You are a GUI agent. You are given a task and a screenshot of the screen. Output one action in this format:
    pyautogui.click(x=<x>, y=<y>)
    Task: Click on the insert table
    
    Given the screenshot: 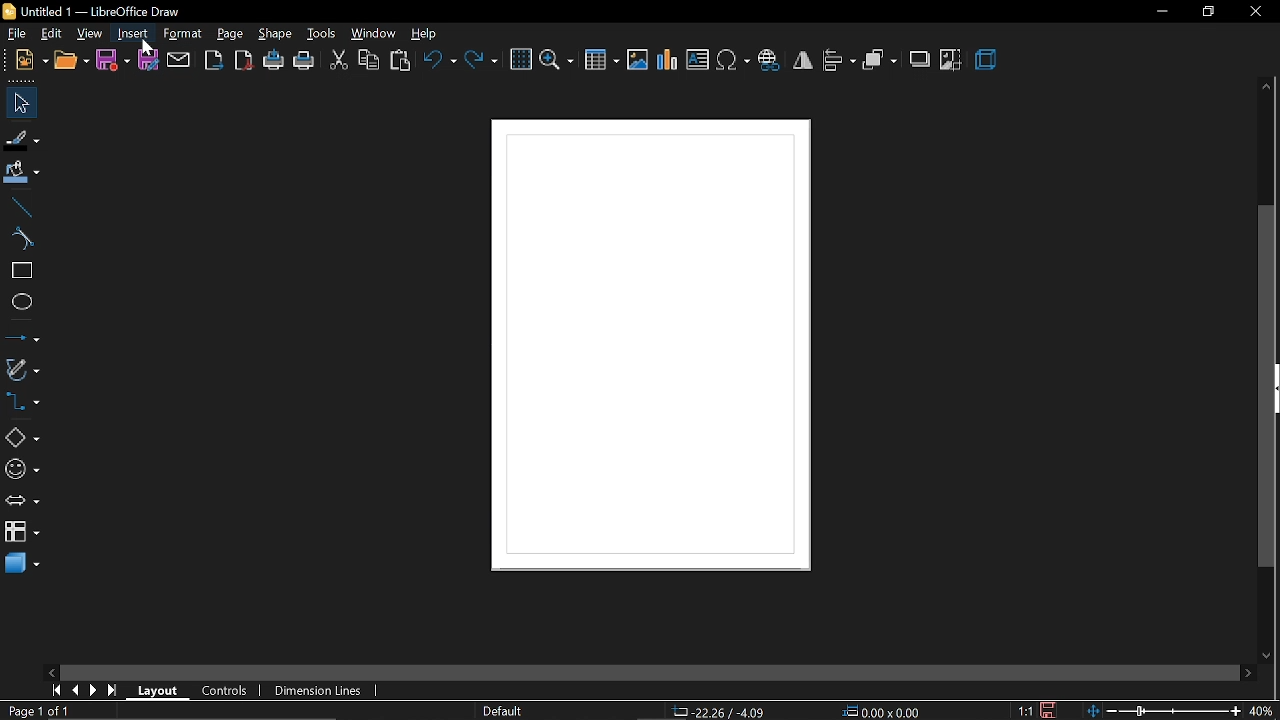 What is the action you would take?
    pyautogui.click(x=601, y=61)
    